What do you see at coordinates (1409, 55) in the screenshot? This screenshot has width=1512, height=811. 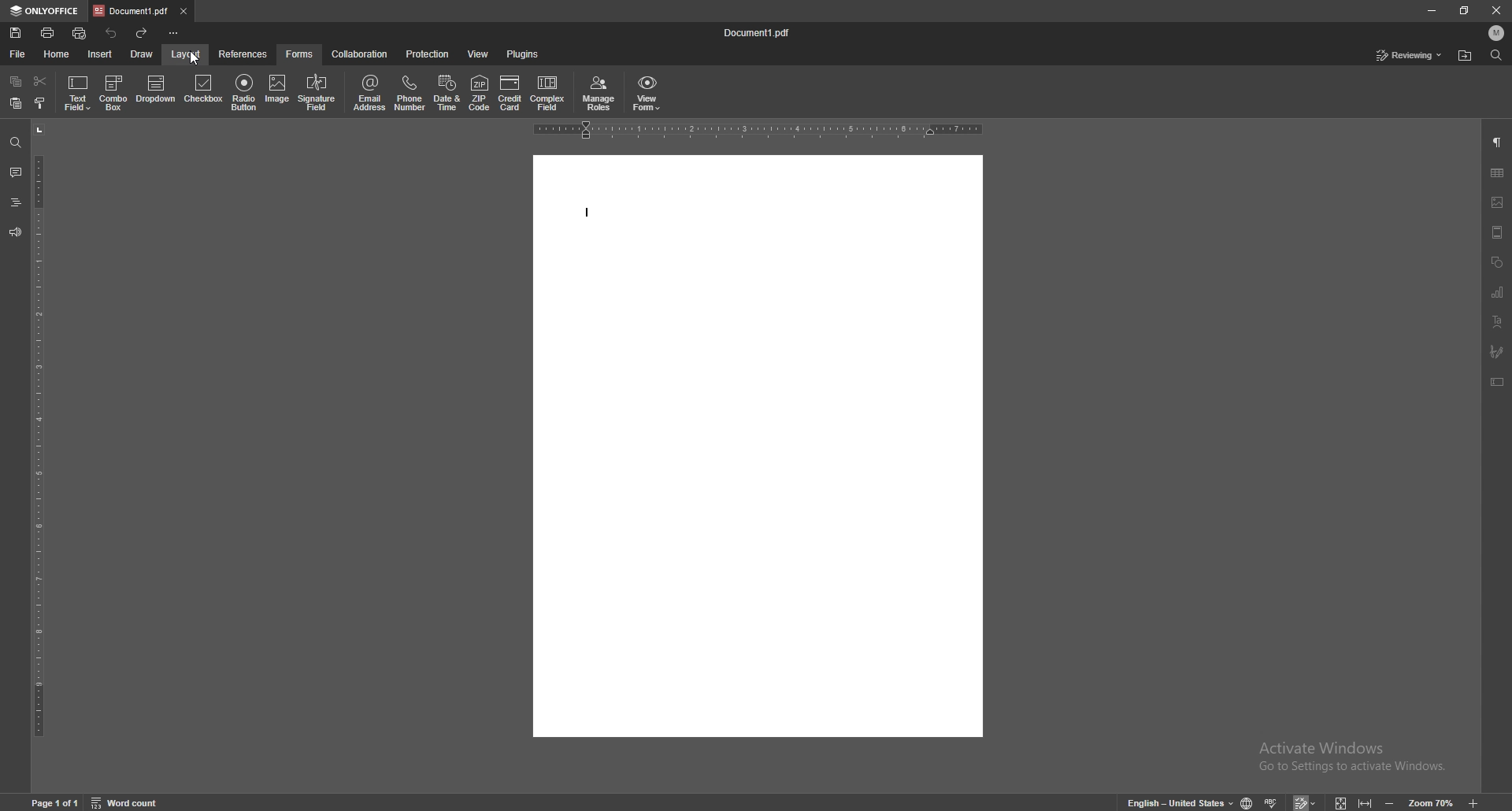 I see `status` at bounding box center [1409, 55].